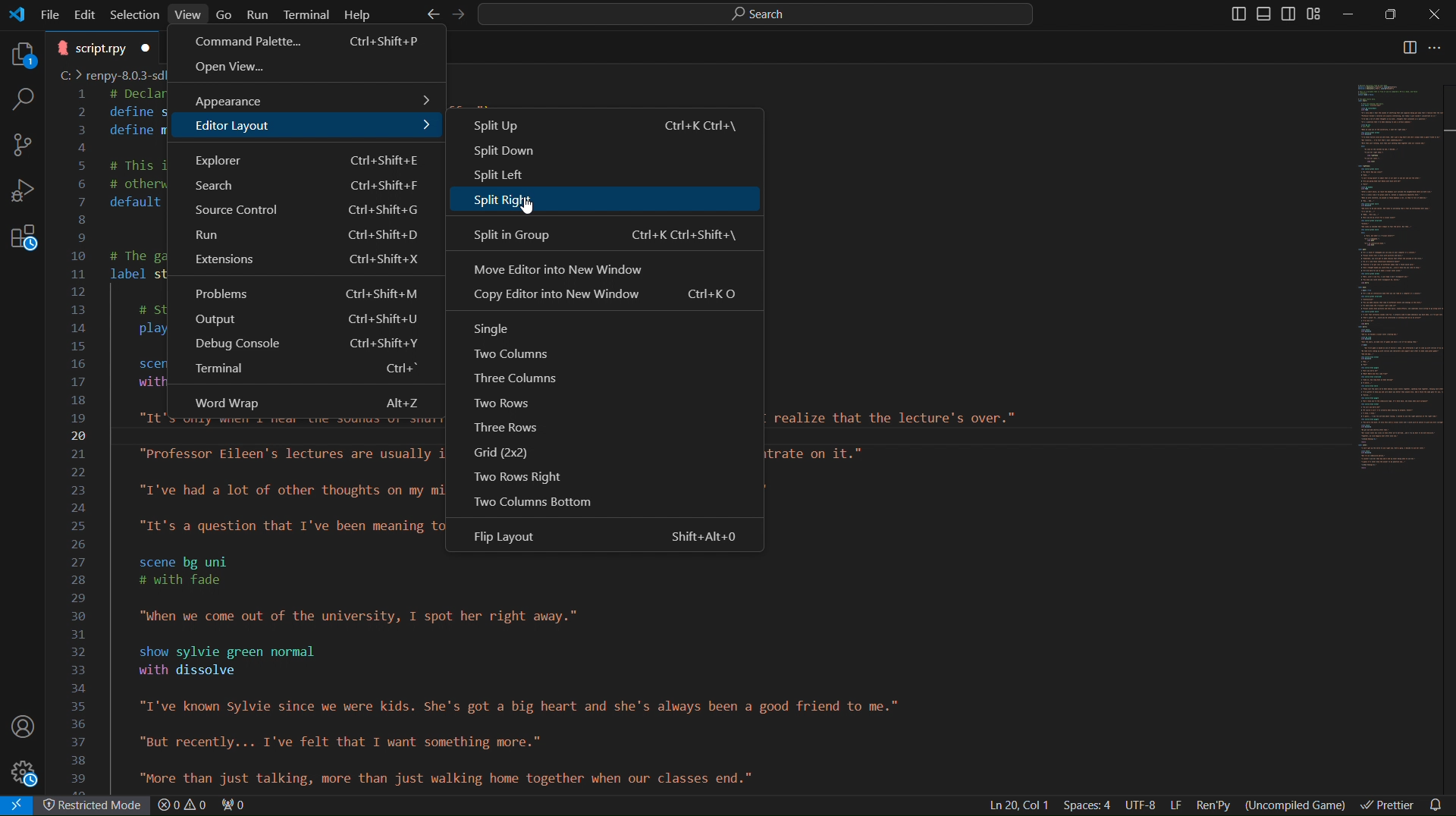 Image resolution: width=1456 pixels, height=816 pixels. What do you see at coordinates (20, 805) in the screenshot?
I see `Open a remote window` at bounding box center [20, 805].